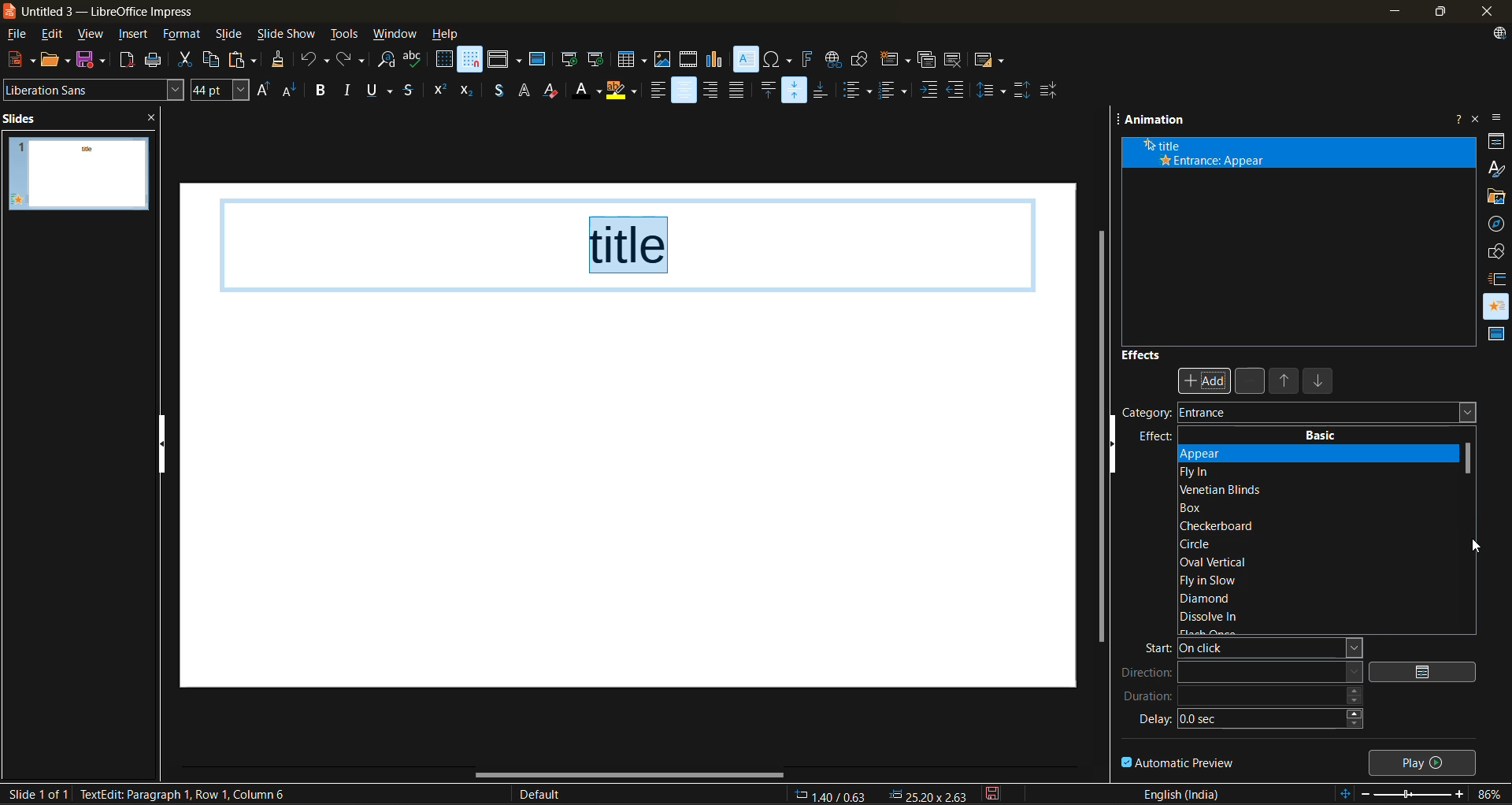 The height and width of the screenshot is (805, 1512). Describe the element at coordinates (1245, 651) in the screenshot. I see `start` at that location.